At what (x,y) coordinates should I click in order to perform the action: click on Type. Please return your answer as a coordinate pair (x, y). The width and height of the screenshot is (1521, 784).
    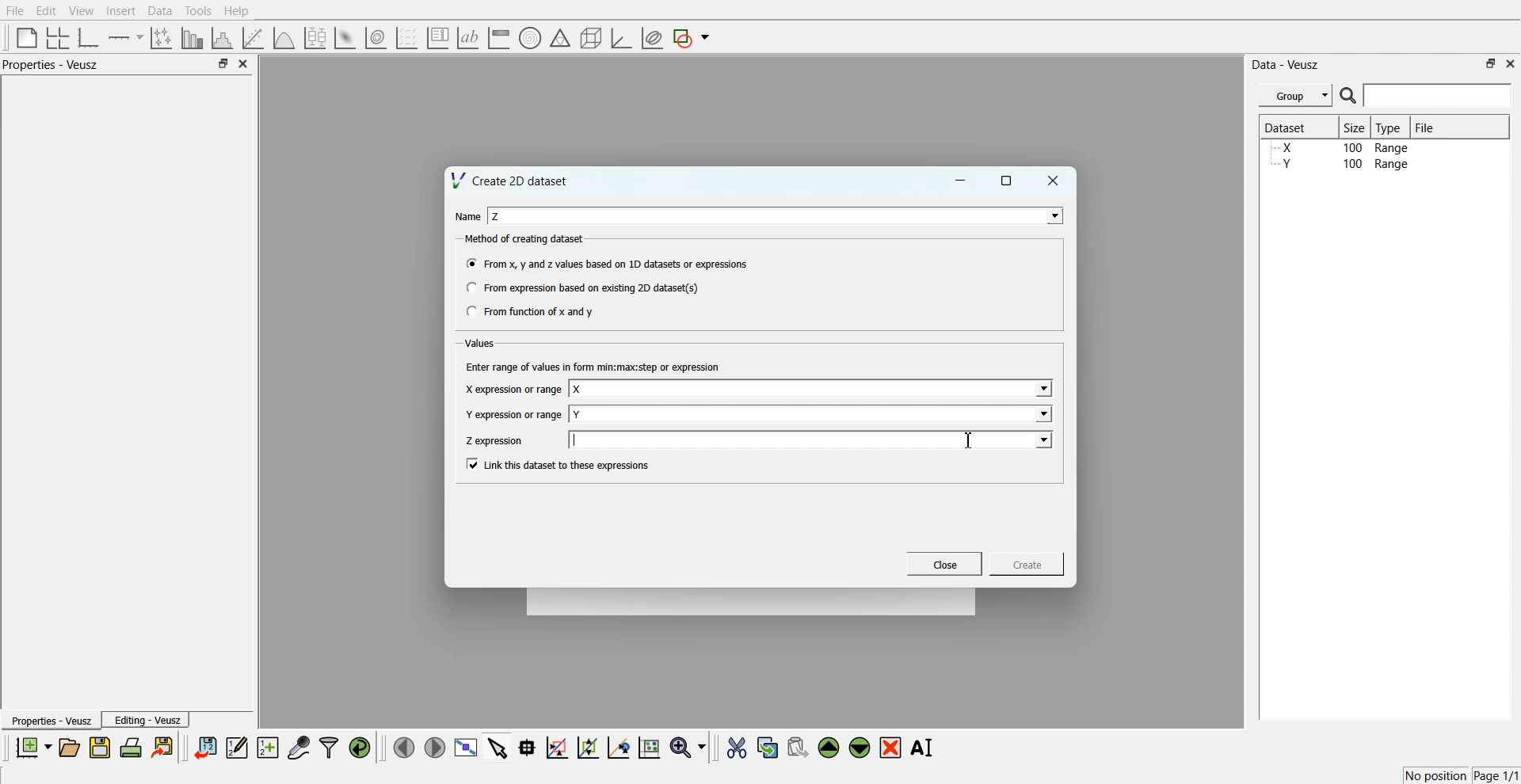
    Looking at the image, I should click on (1390, 127).